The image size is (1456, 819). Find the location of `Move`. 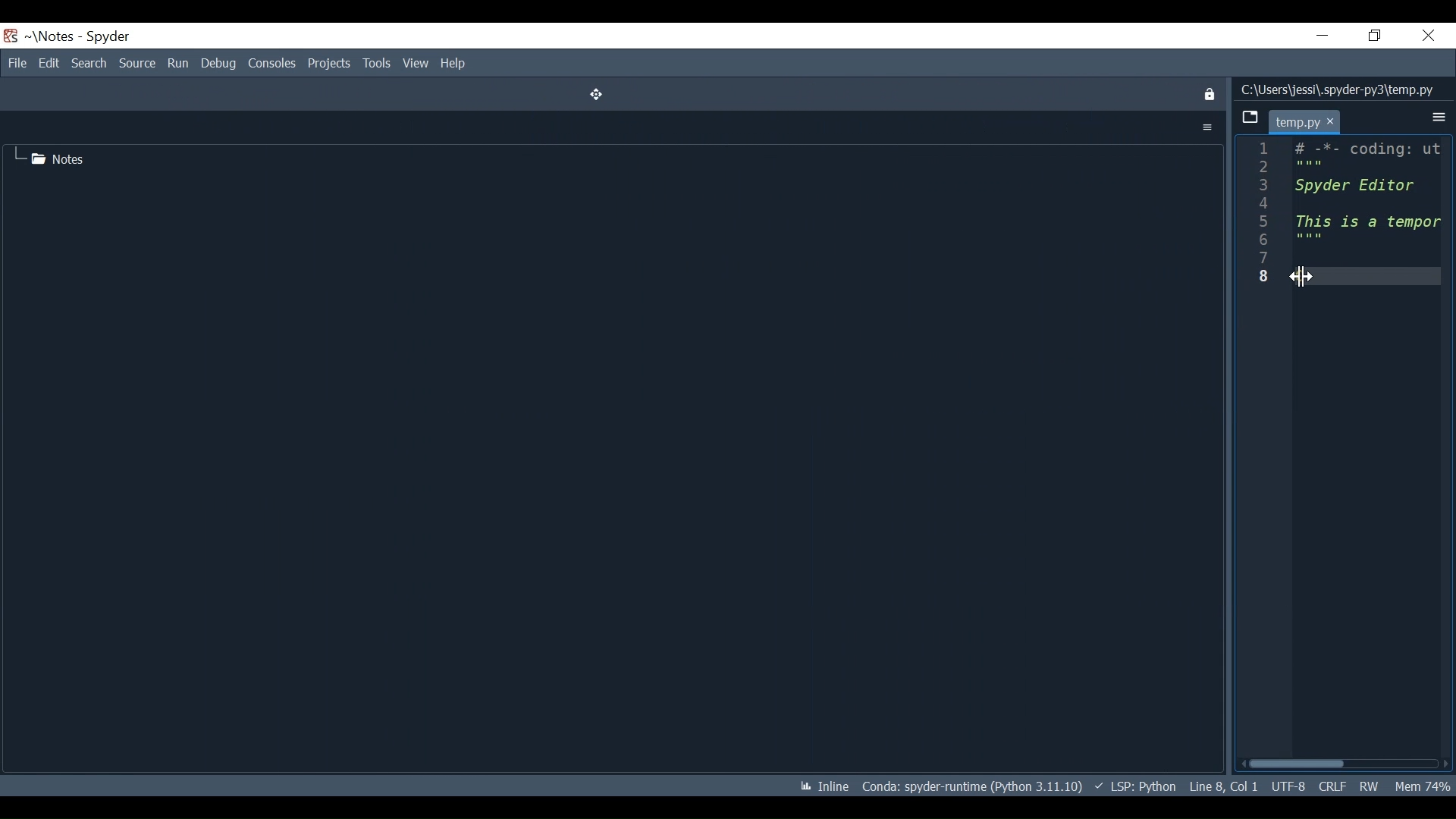

Move is located at coordinates (592, 94).